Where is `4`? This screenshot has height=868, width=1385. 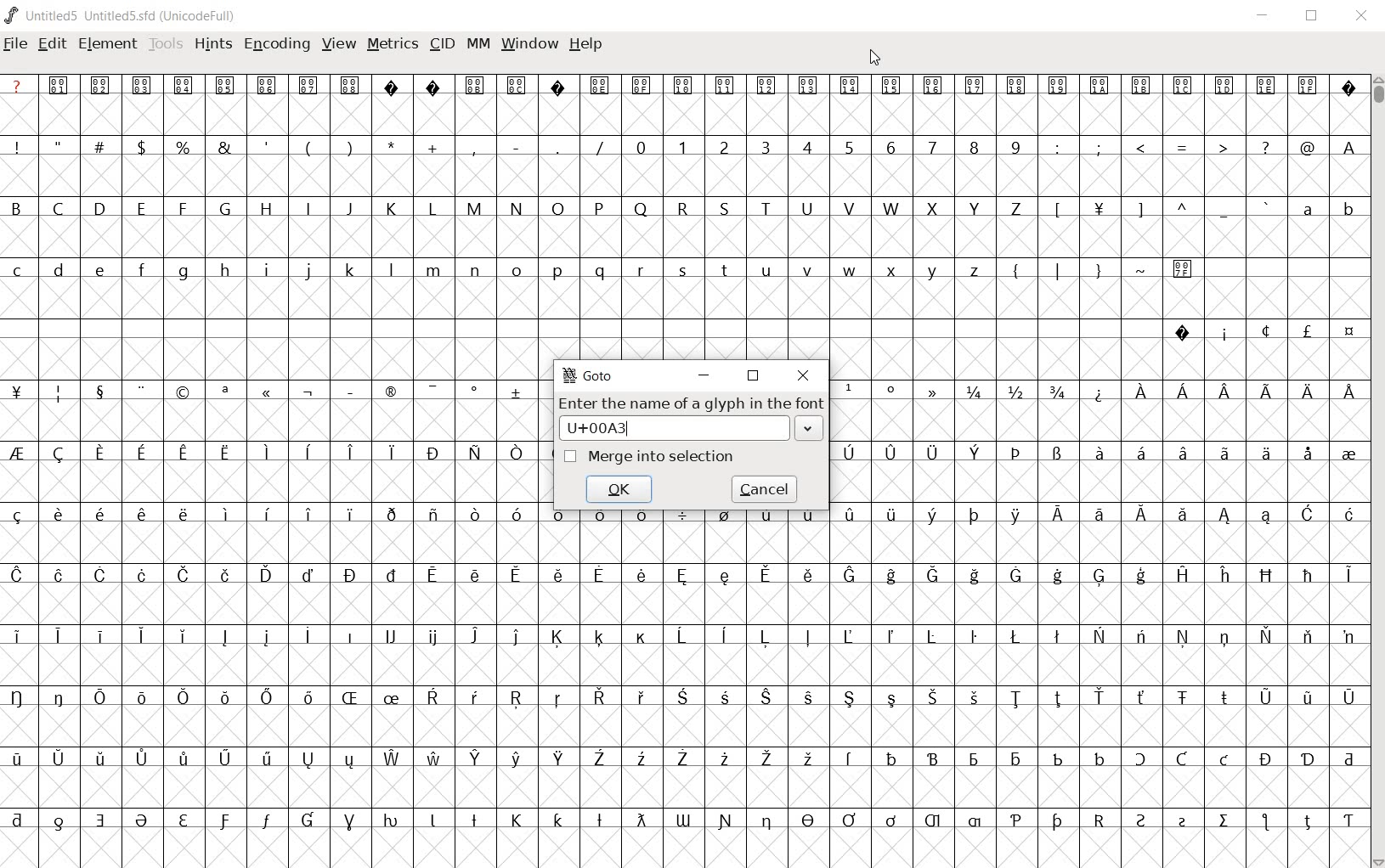
4 is located at coordinates (806, 146).